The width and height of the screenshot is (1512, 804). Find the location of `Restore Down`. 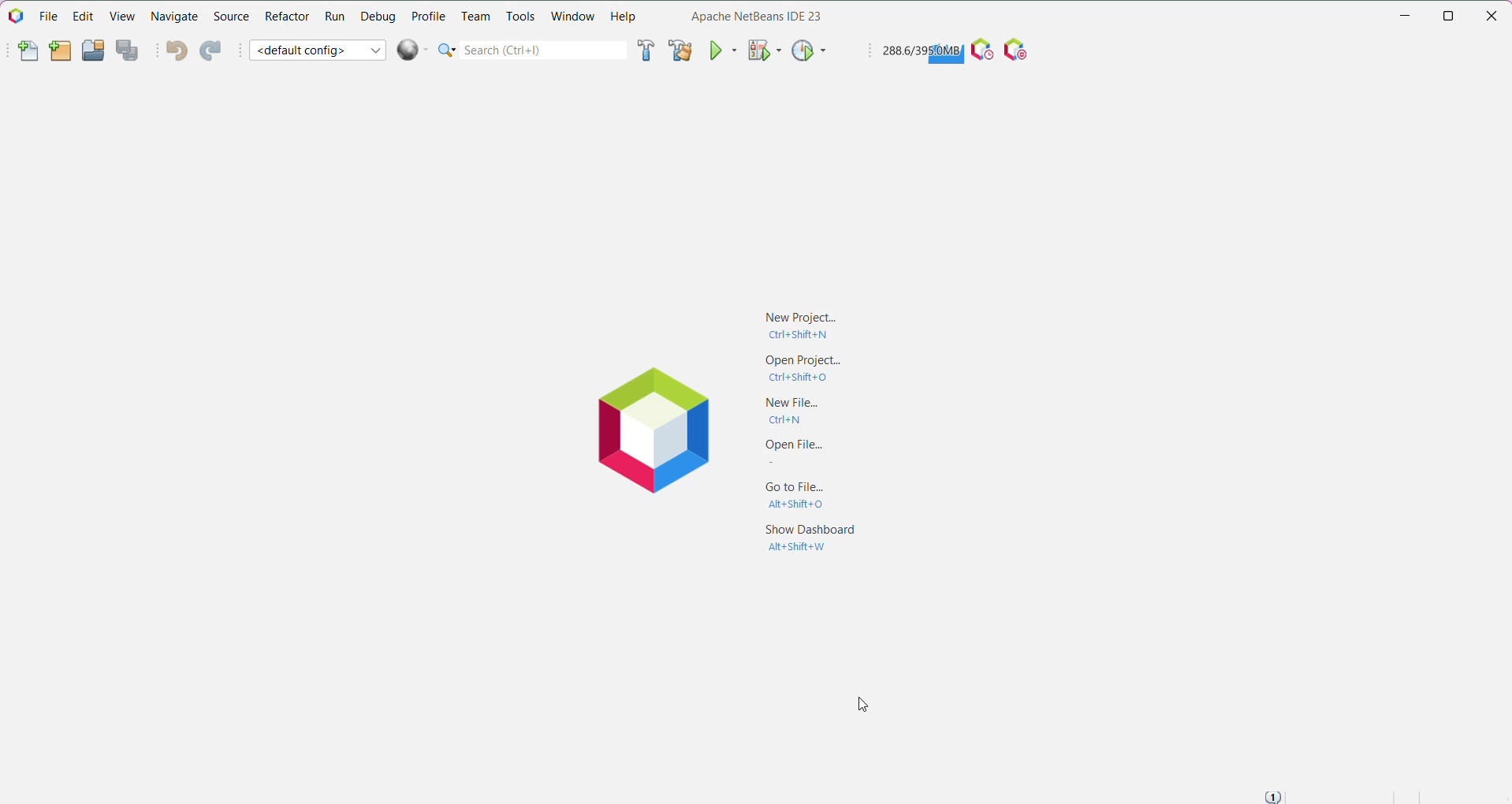

Restore Down is located at coordinates (1449, 16).